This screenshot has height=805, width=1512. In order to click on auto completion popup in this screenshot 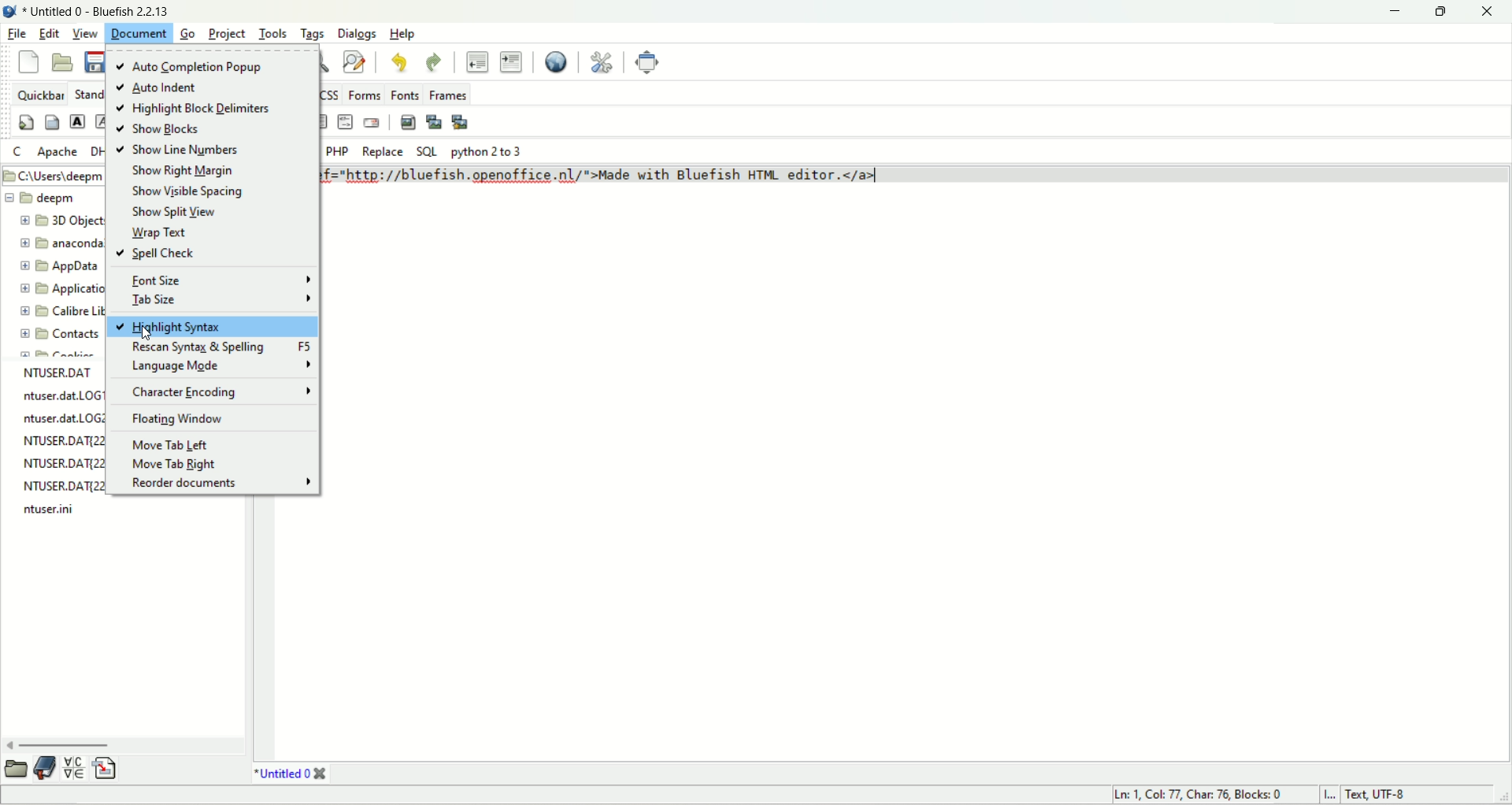, I will do `click(191, 65)`.